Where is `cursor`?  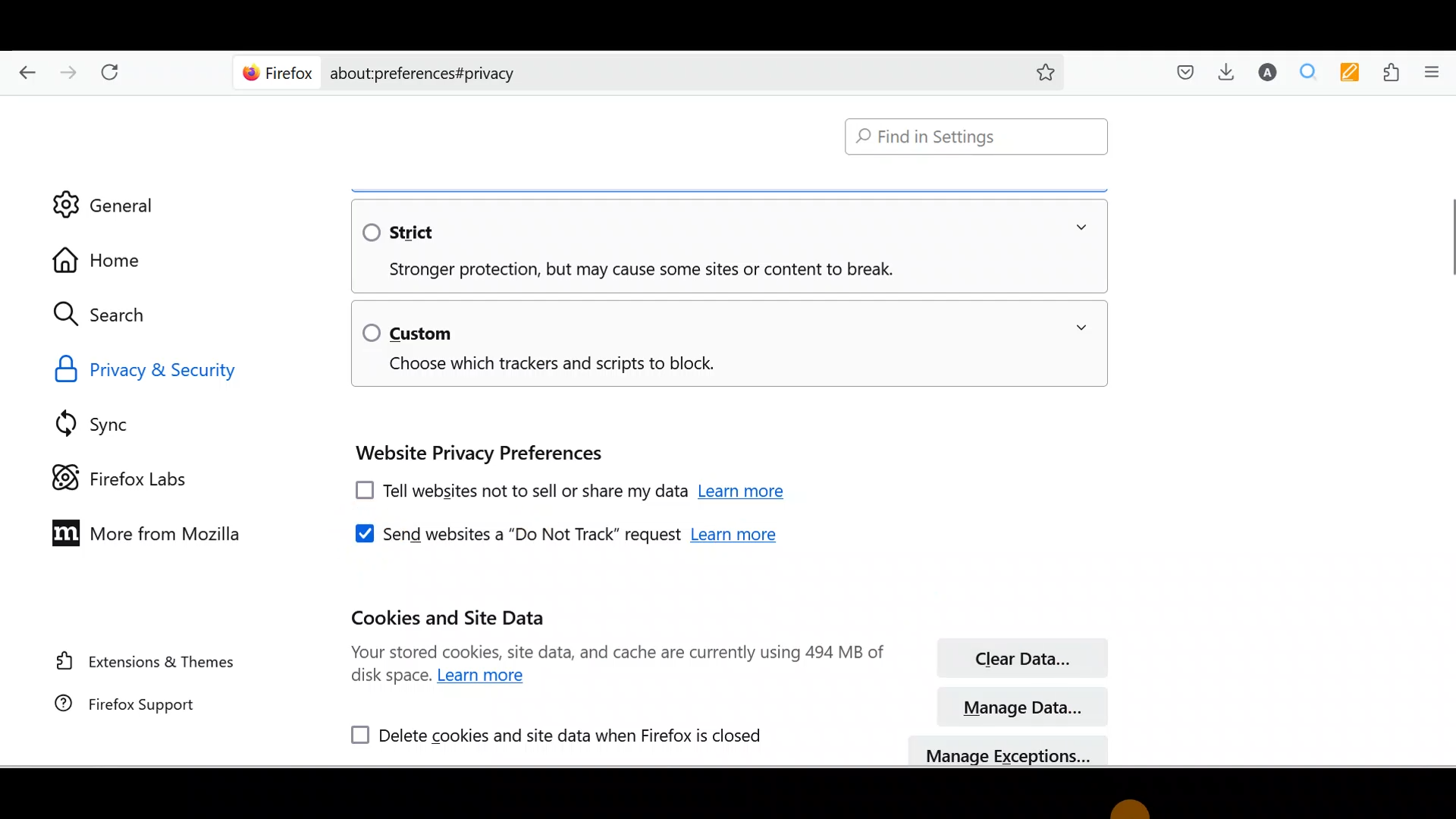
cursor is located at coordinates (1130, 807).